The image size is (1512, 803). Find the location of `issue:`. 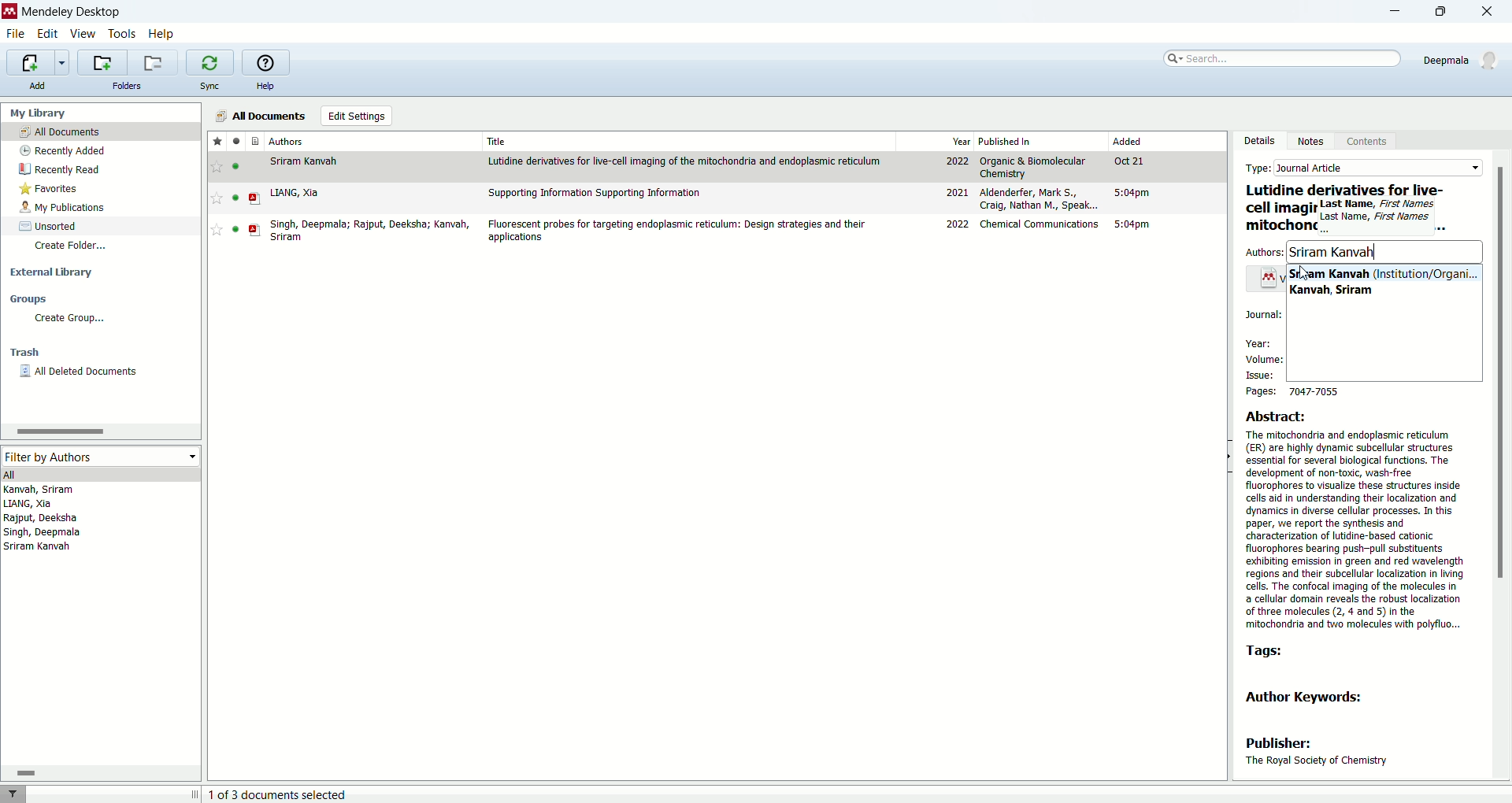

issue: is located at coordinates (1275, 376).